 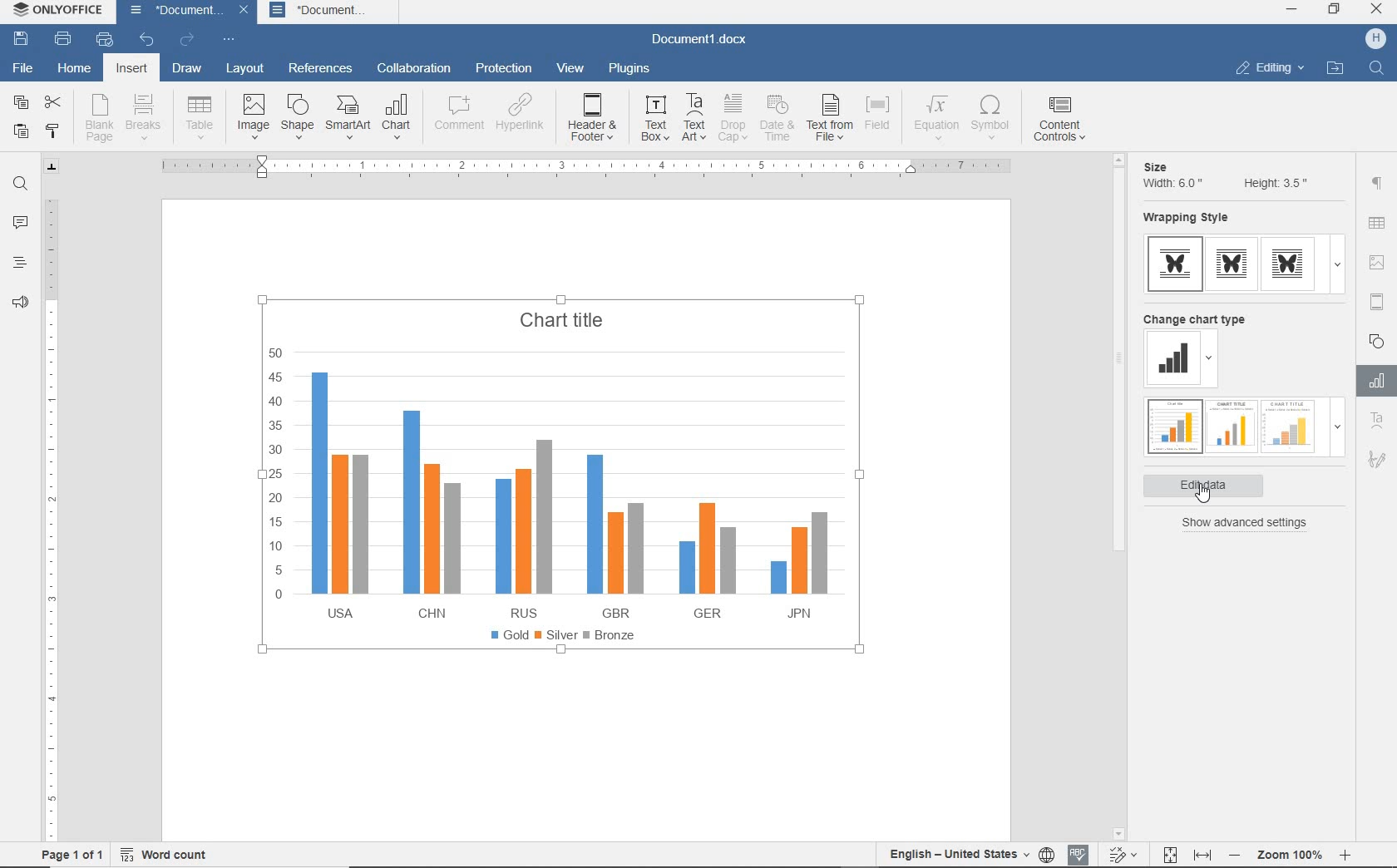 What do you see at coordinates (22, 67) in the screenshot?
I see `file` at bounding box center [22, 67].